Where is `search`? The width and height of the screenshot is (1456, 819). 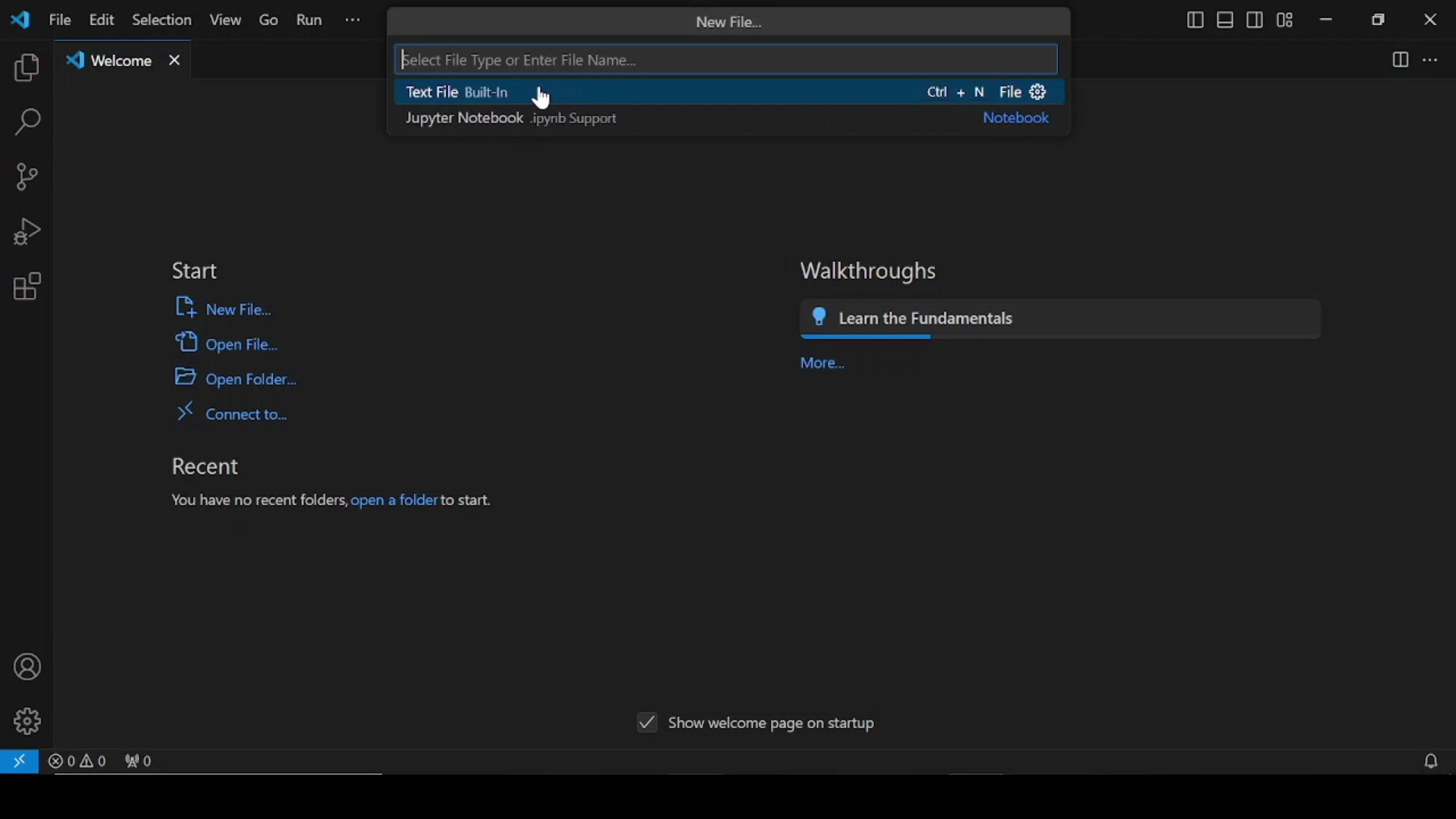 search is located at coordinates (27, 123).